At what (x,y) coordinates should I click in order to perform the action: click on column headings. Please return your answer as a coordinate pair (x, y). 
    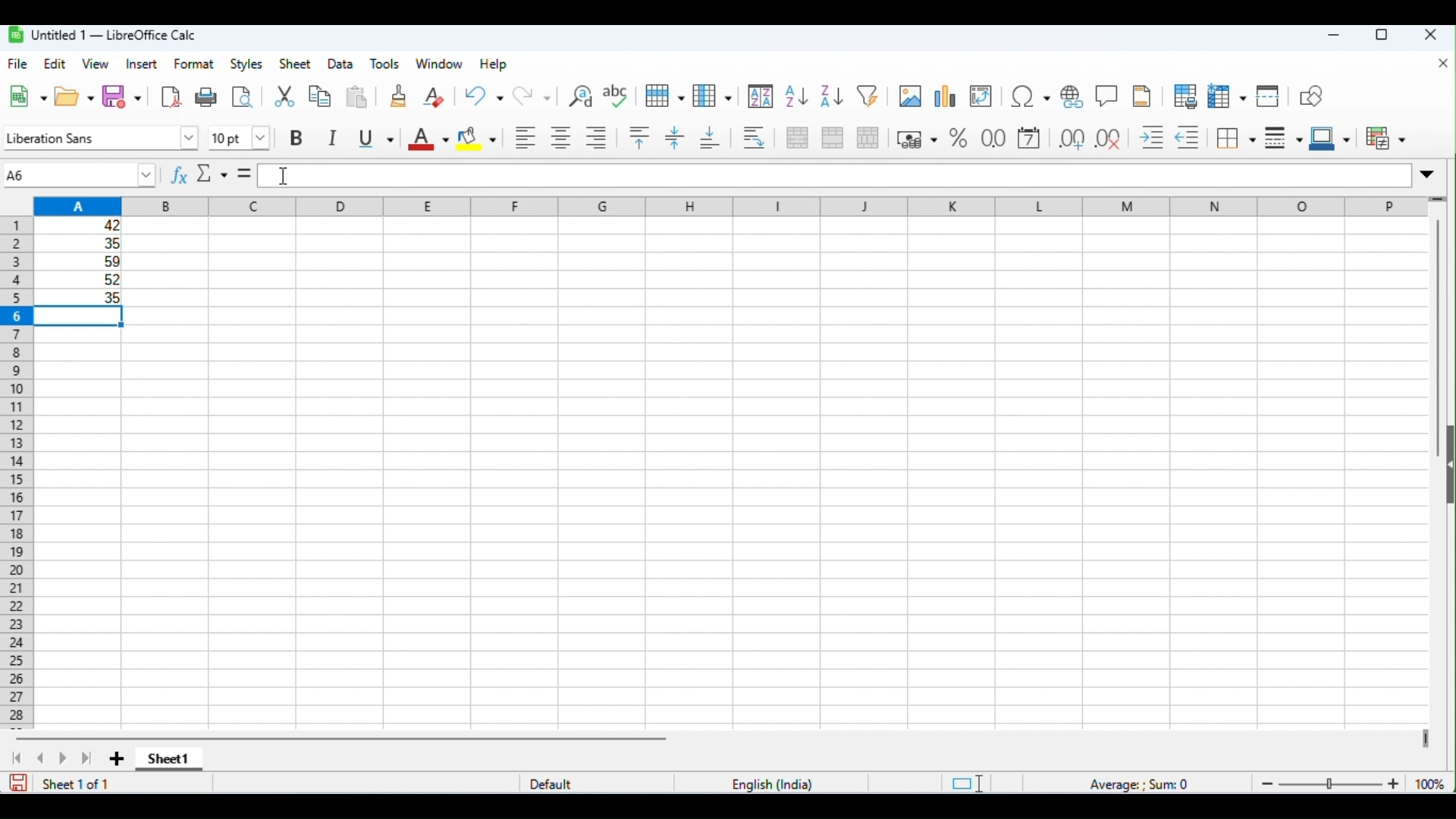
    Looking at the image, I should click on (727, 204).